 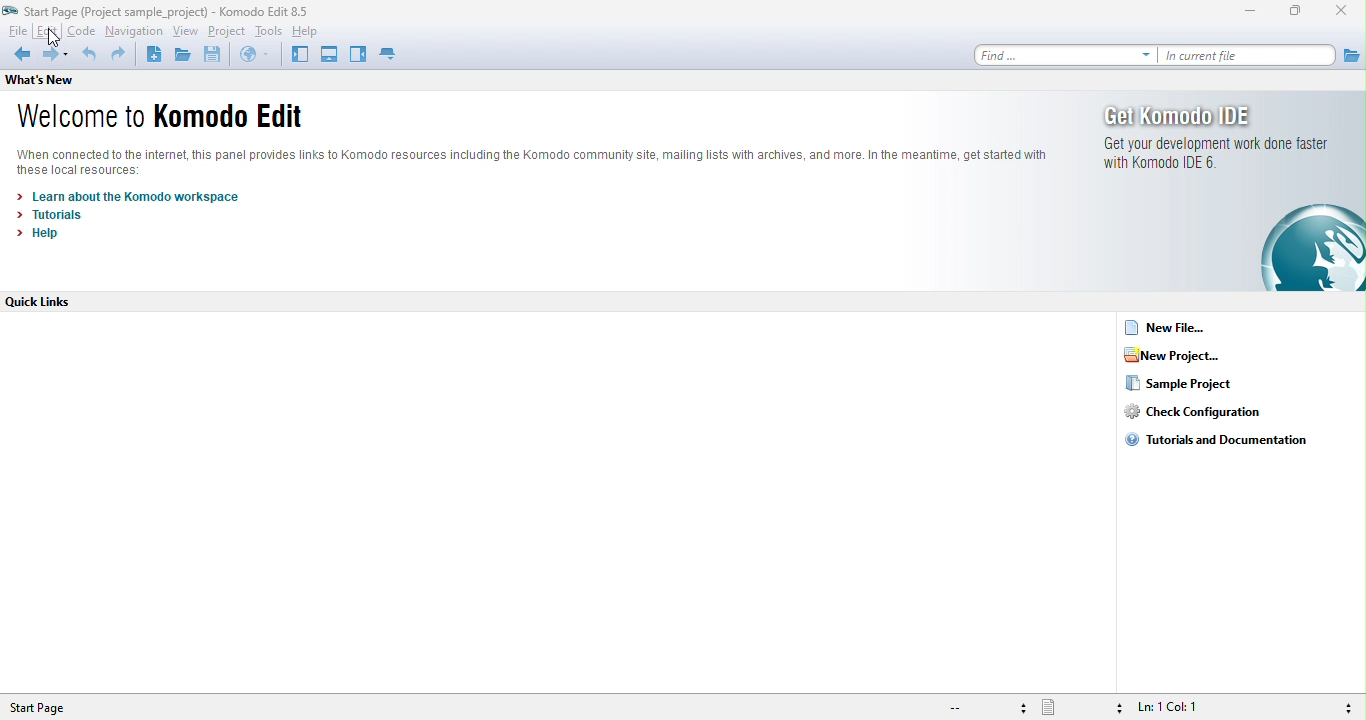 What do you see at coordinates (56, 56) in the screenshot?
I see `forward` at bounding box center [56, 56].